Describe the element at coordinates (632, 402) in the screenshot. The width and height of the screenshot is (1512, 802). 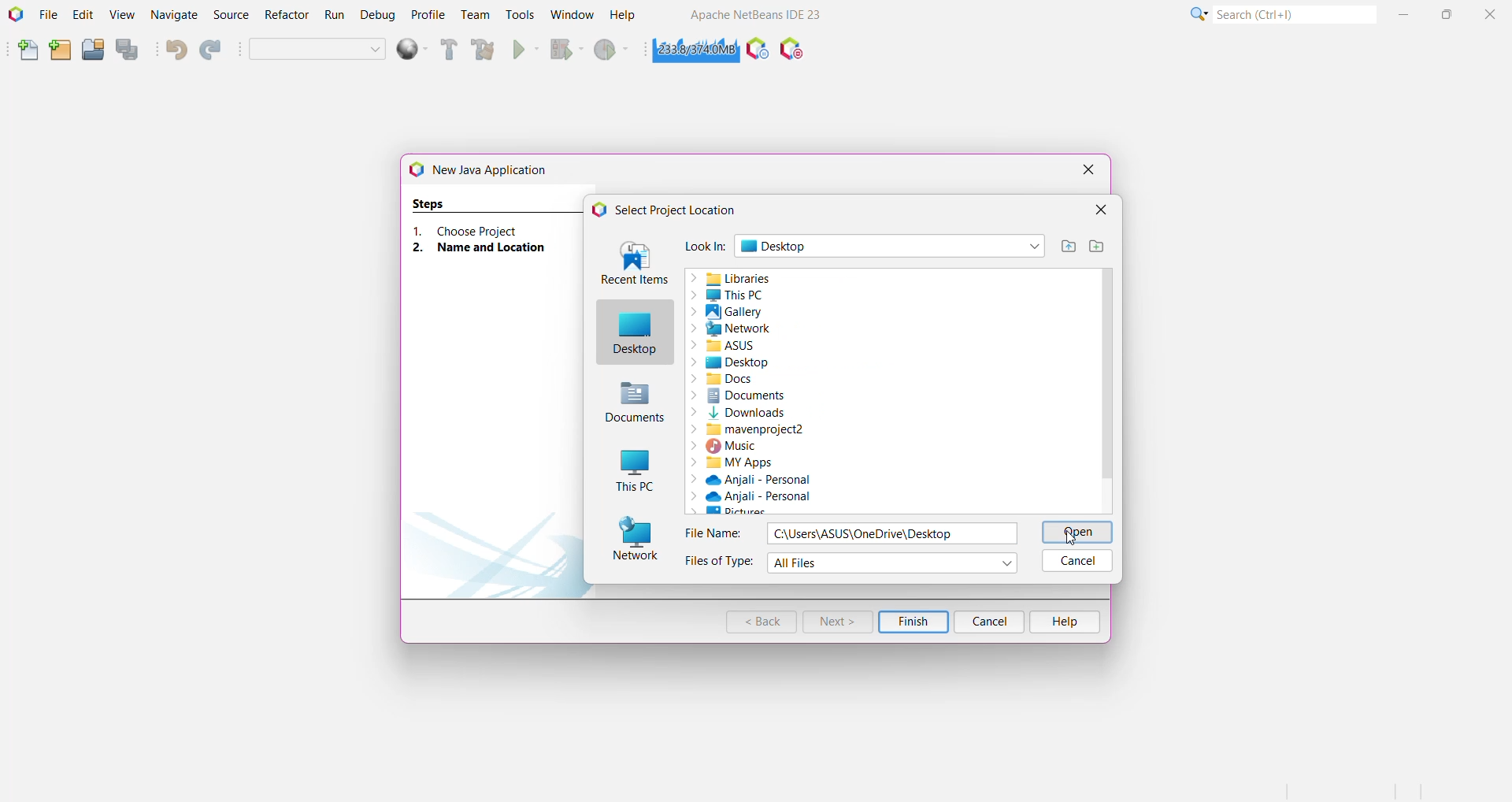
I see `` at that location.